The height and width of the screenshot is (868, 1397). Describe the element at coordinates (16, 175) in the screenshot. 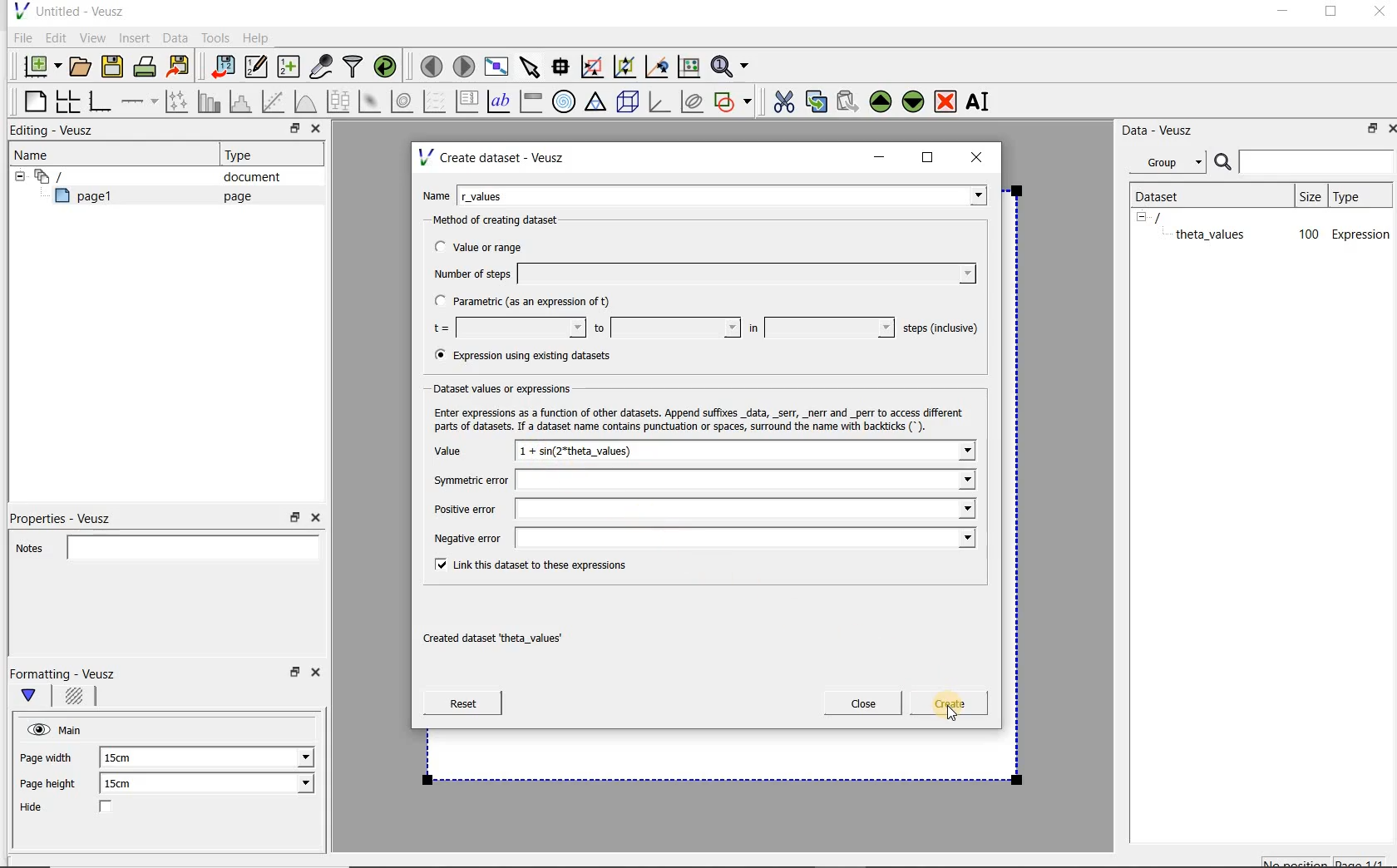

I see `hide sub menu` at that location.